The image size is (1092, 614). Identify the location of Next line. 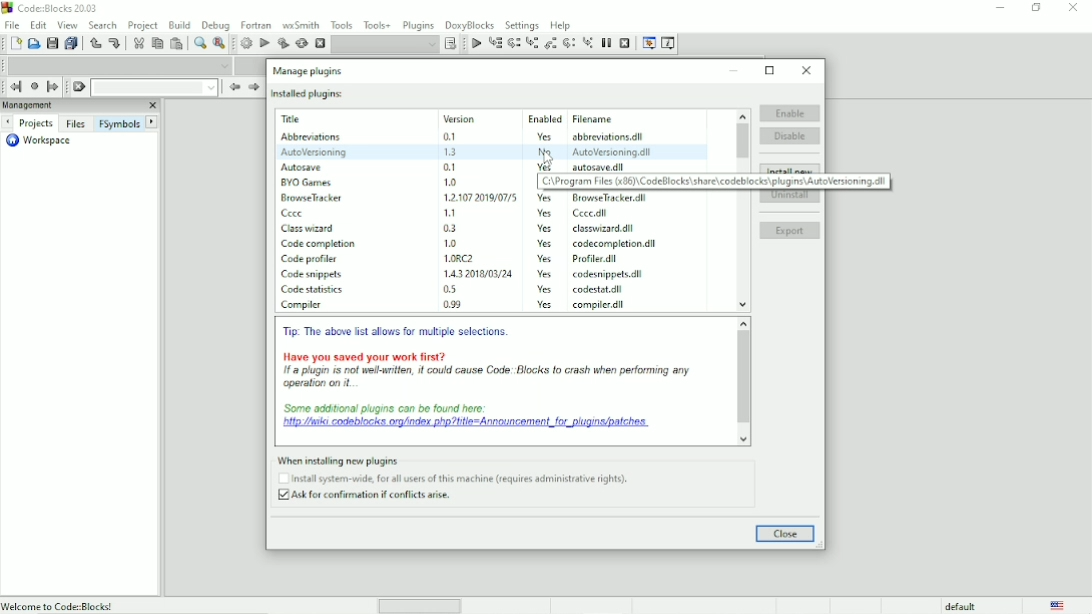
(514, 43).